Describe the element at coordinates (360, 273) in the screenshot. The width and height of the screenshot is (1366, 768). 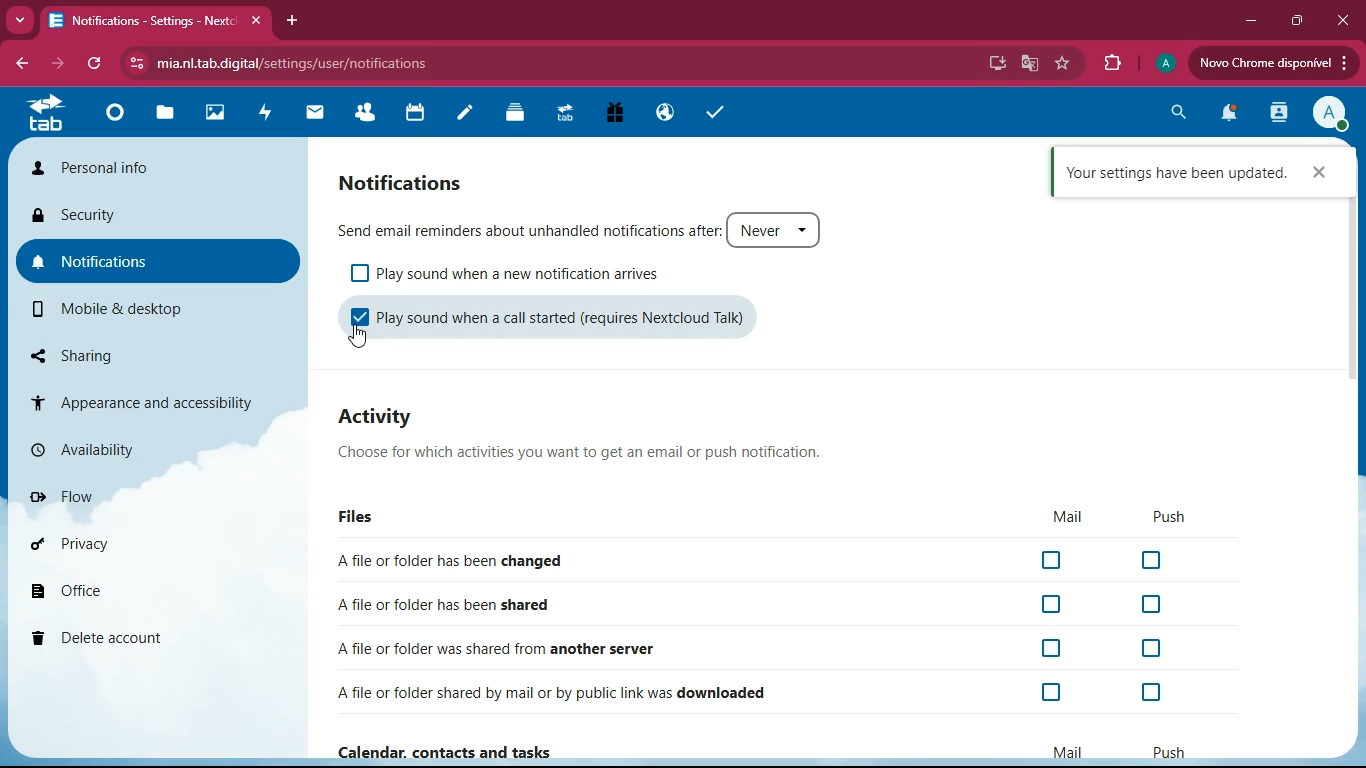
I see `off` at that location.